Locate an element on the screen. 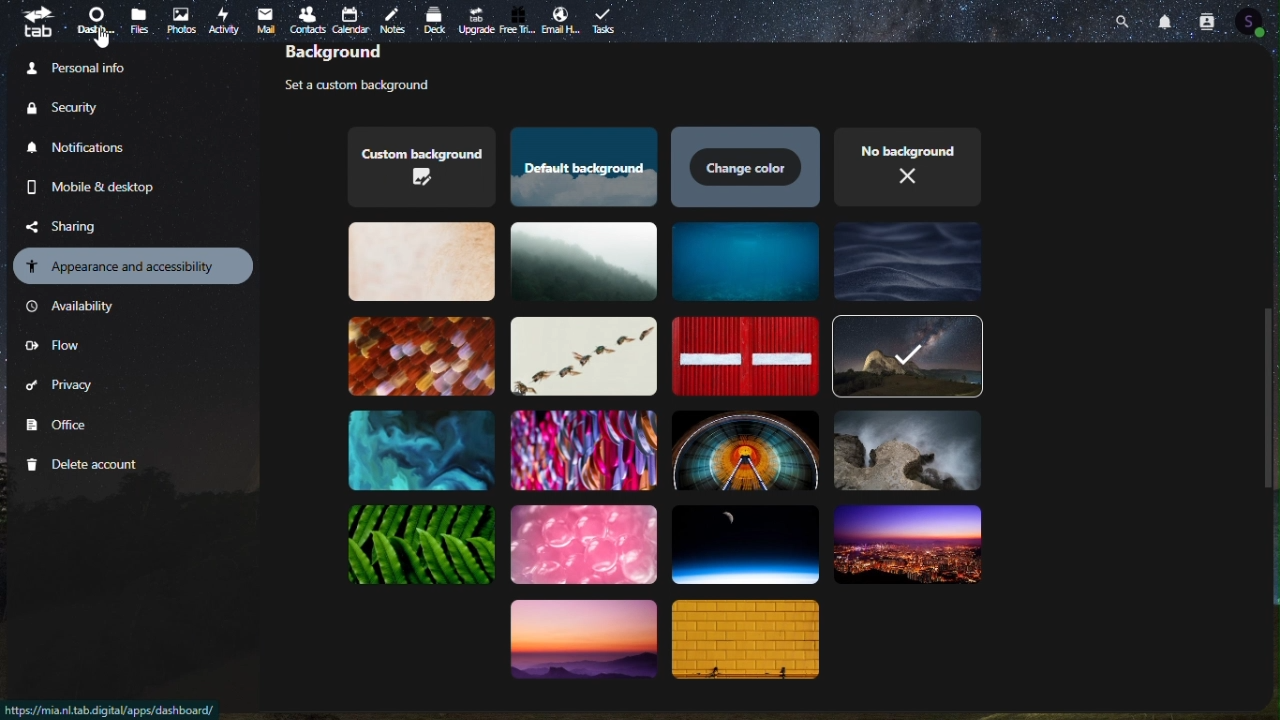  Themes is located at coordinates (585, 264).